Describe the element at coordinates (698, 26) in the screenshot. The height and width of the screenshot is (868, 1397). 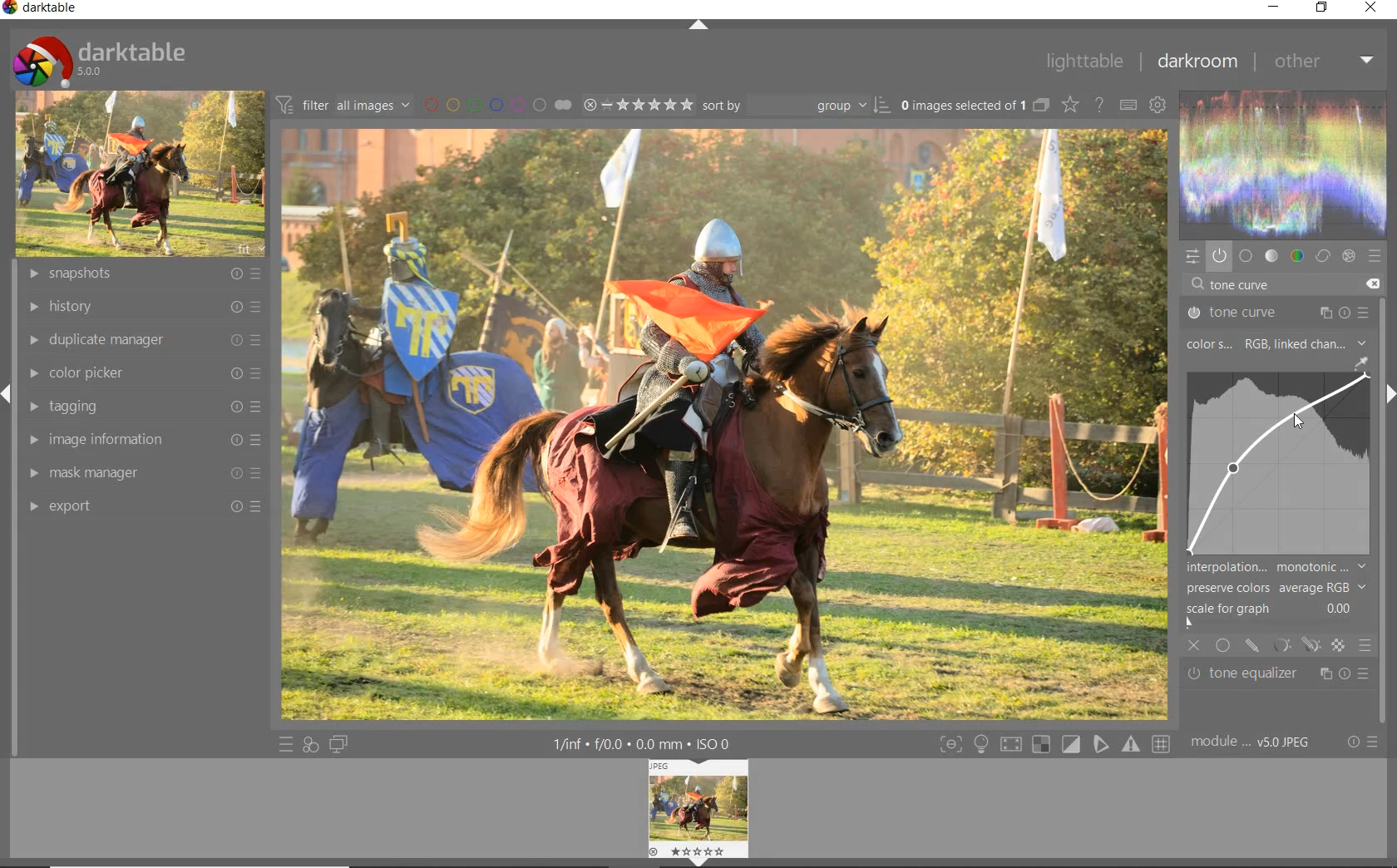
I see `expand/collapse` at that location.